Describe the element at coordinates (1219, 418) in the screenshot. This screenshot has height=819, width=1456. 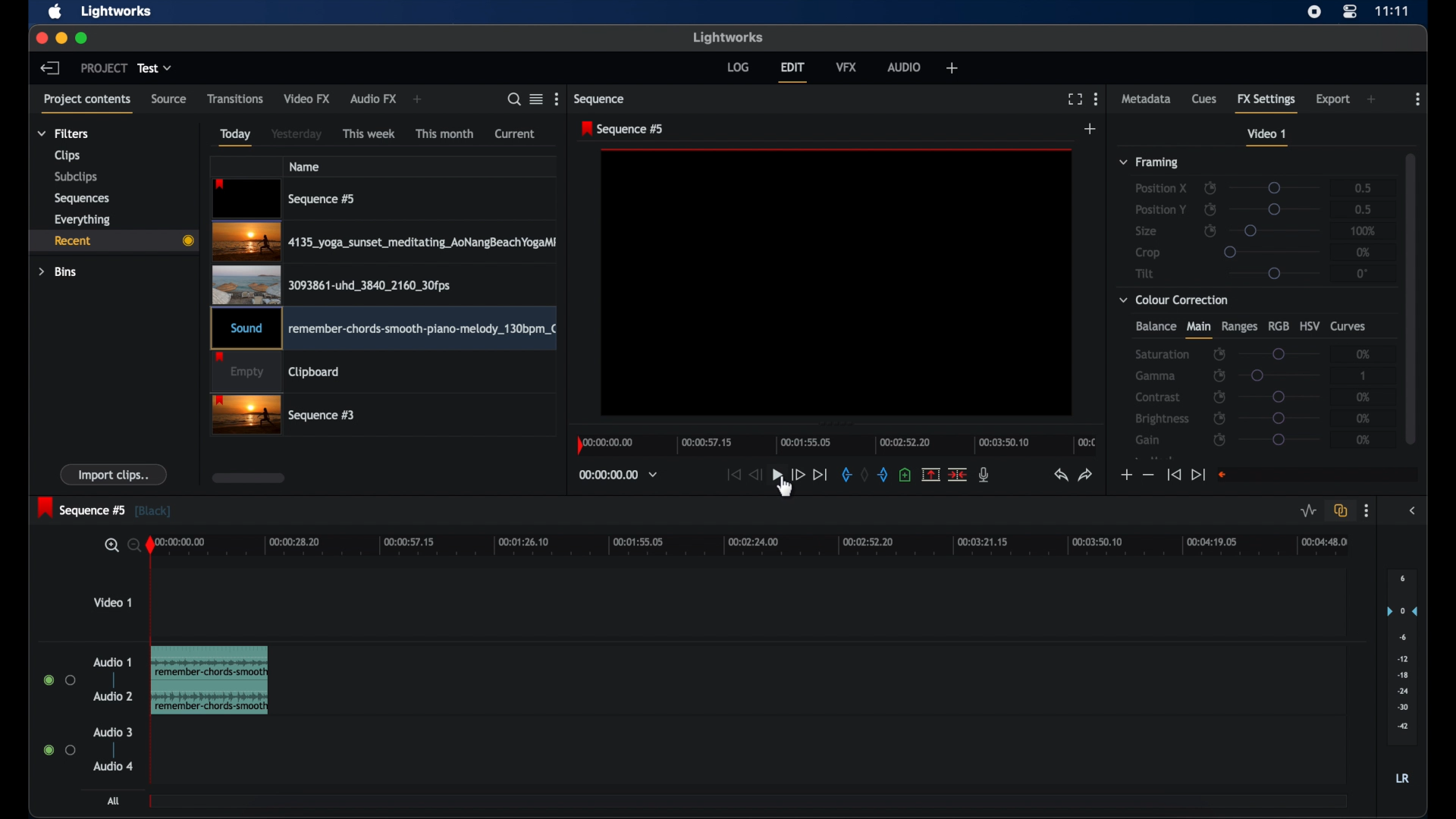
I see `enable/disable keyframes` at that location.